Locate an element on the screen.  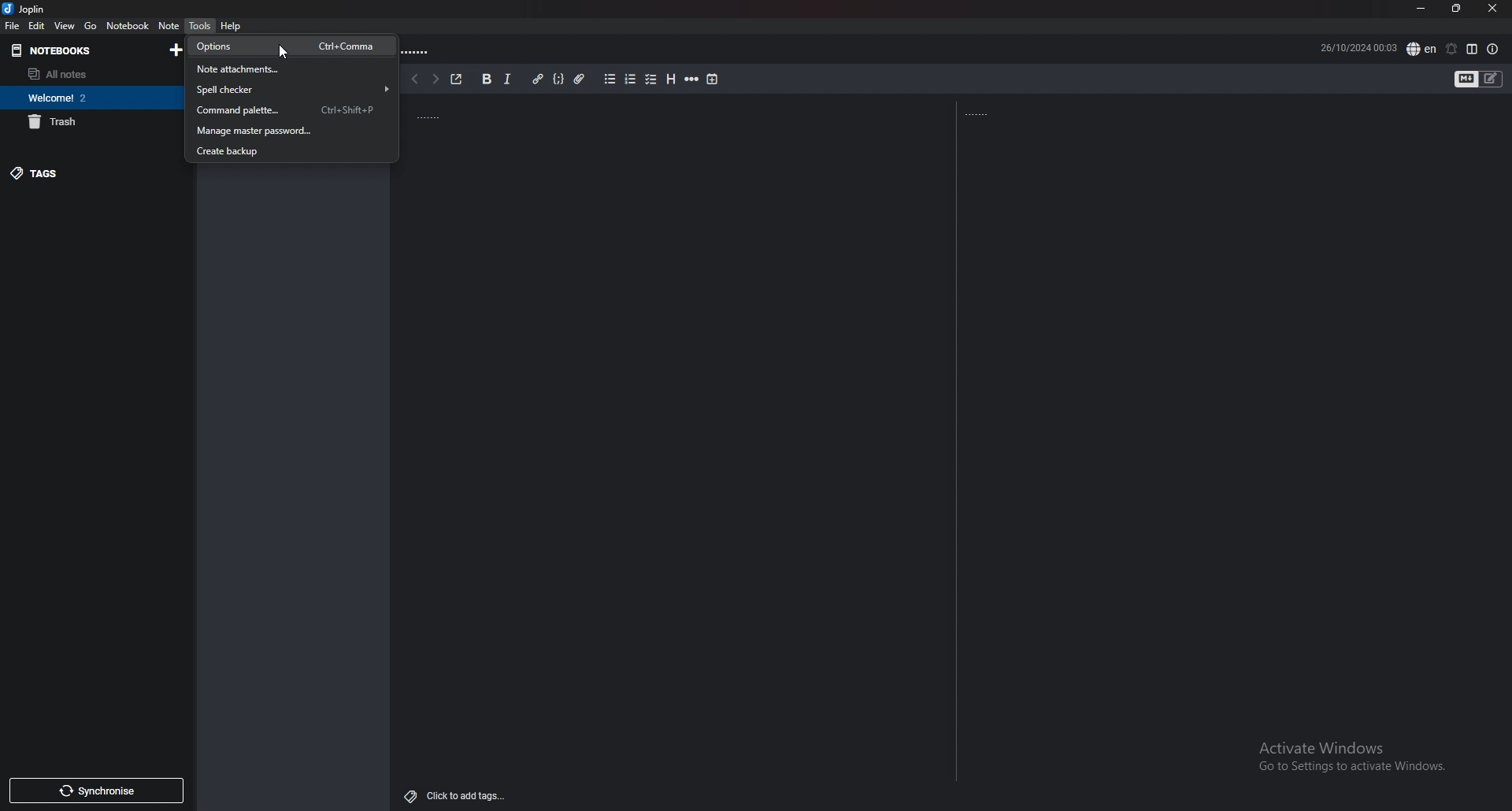
manage master password is located at coordinates (286, 130).